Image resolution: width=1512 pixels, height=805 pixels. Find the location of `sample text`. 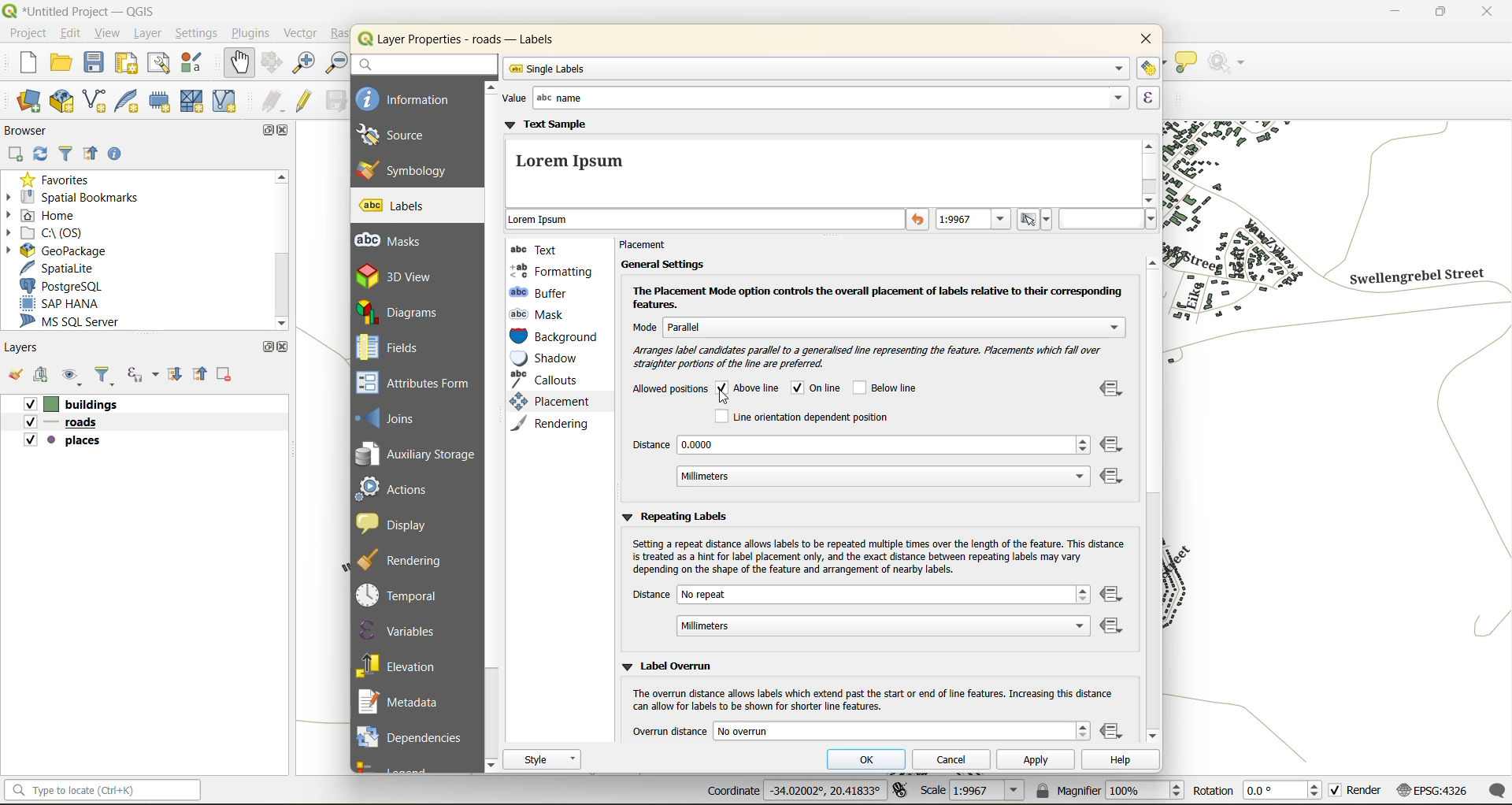

sample text is located at coordinates (706, 221).